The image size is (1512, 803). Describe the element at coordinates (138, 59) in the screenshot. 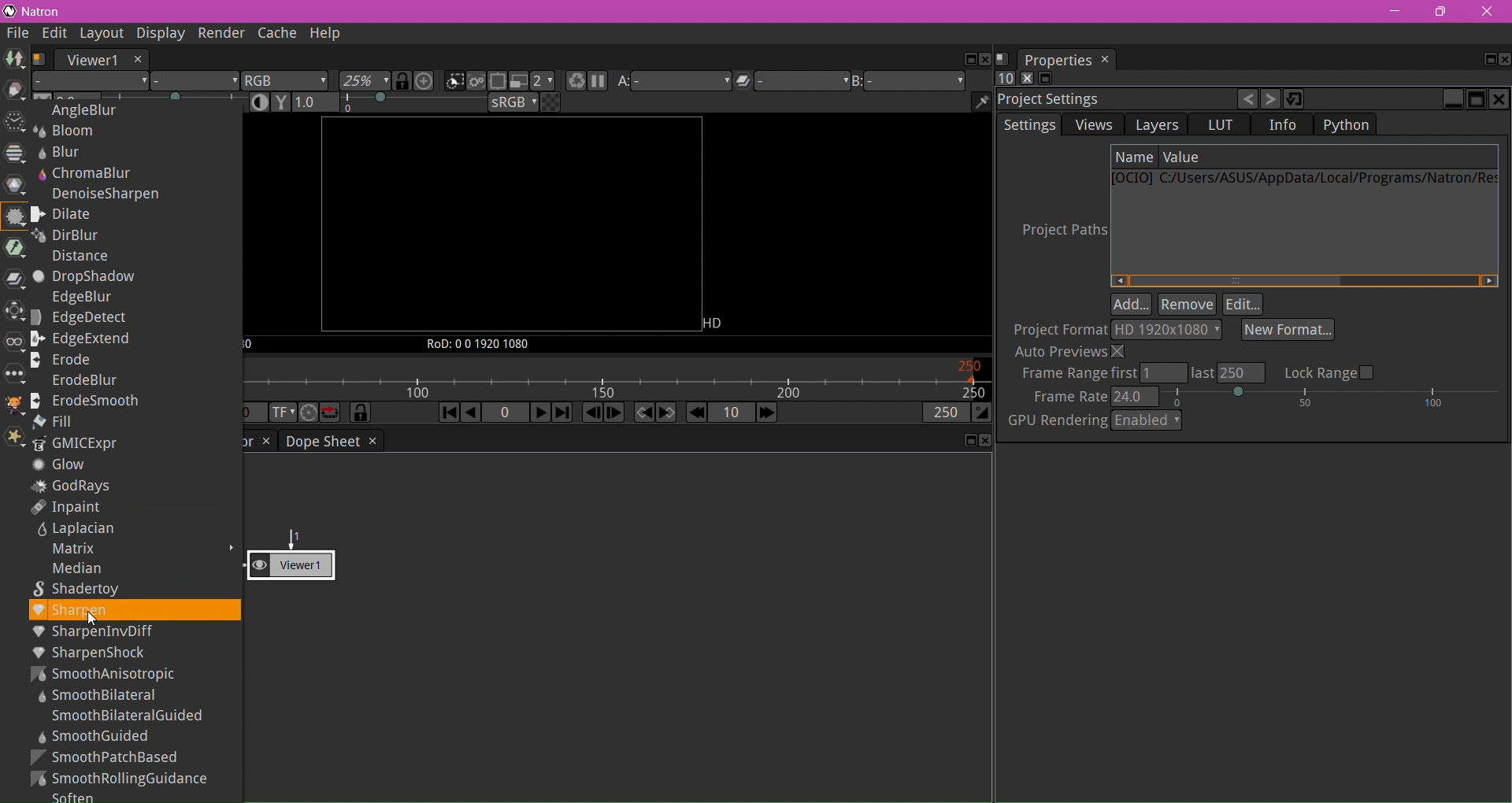

I see `Close Tab` at that location.